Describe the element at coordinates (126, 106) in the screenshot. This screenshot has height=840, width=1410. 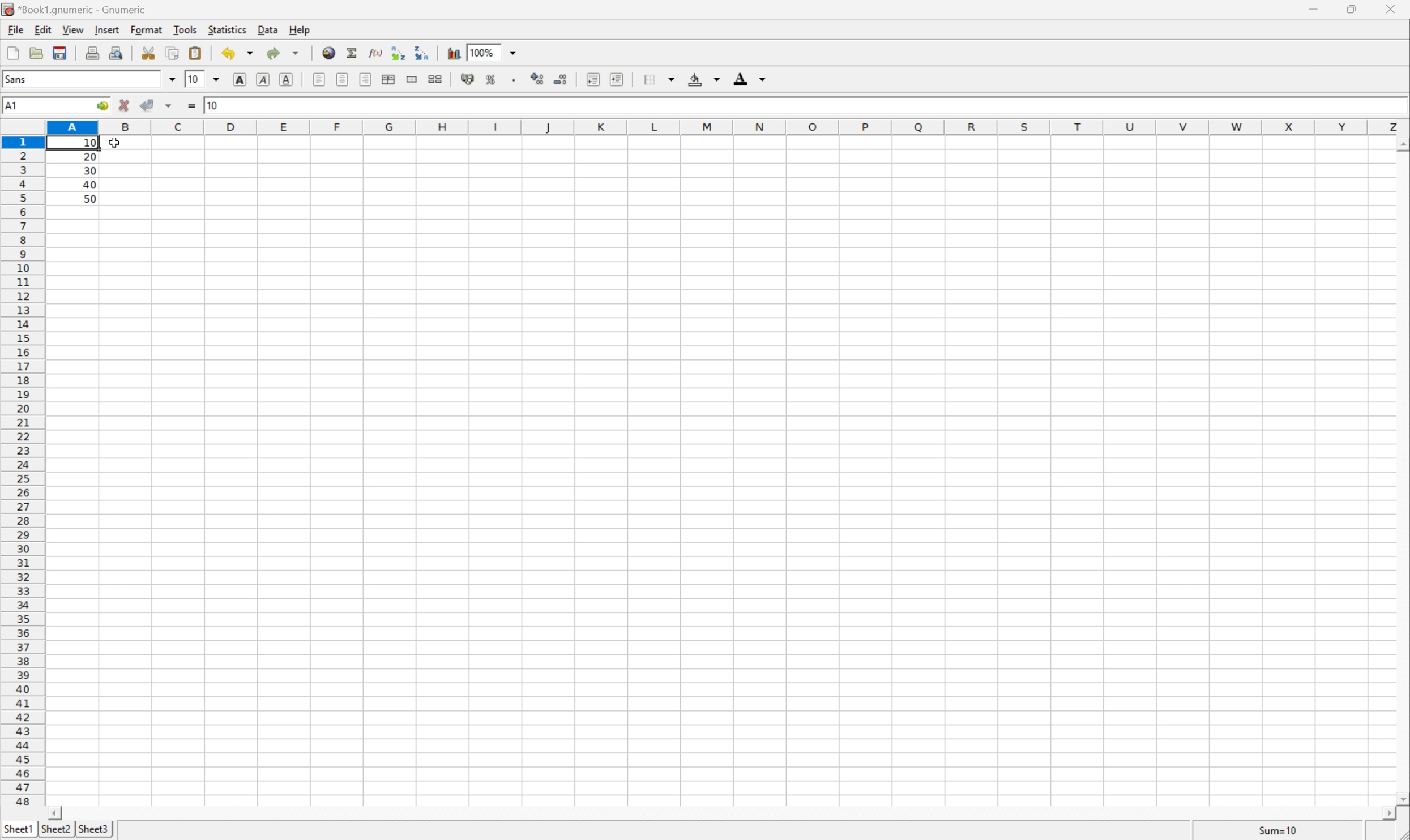
I see `Cancel changes` at that location.